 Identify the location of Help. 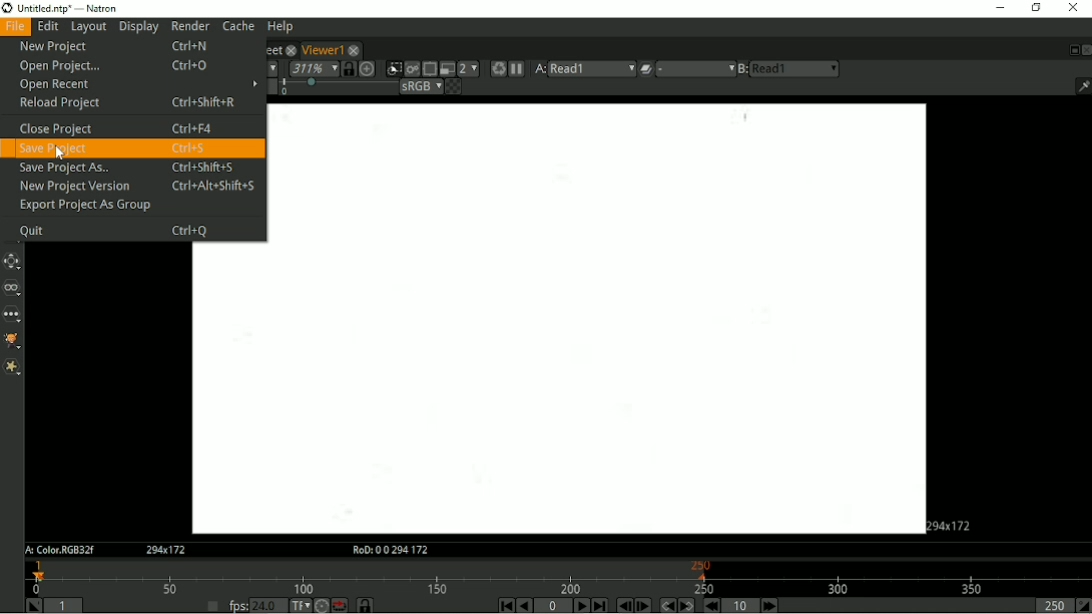
(281, 27).